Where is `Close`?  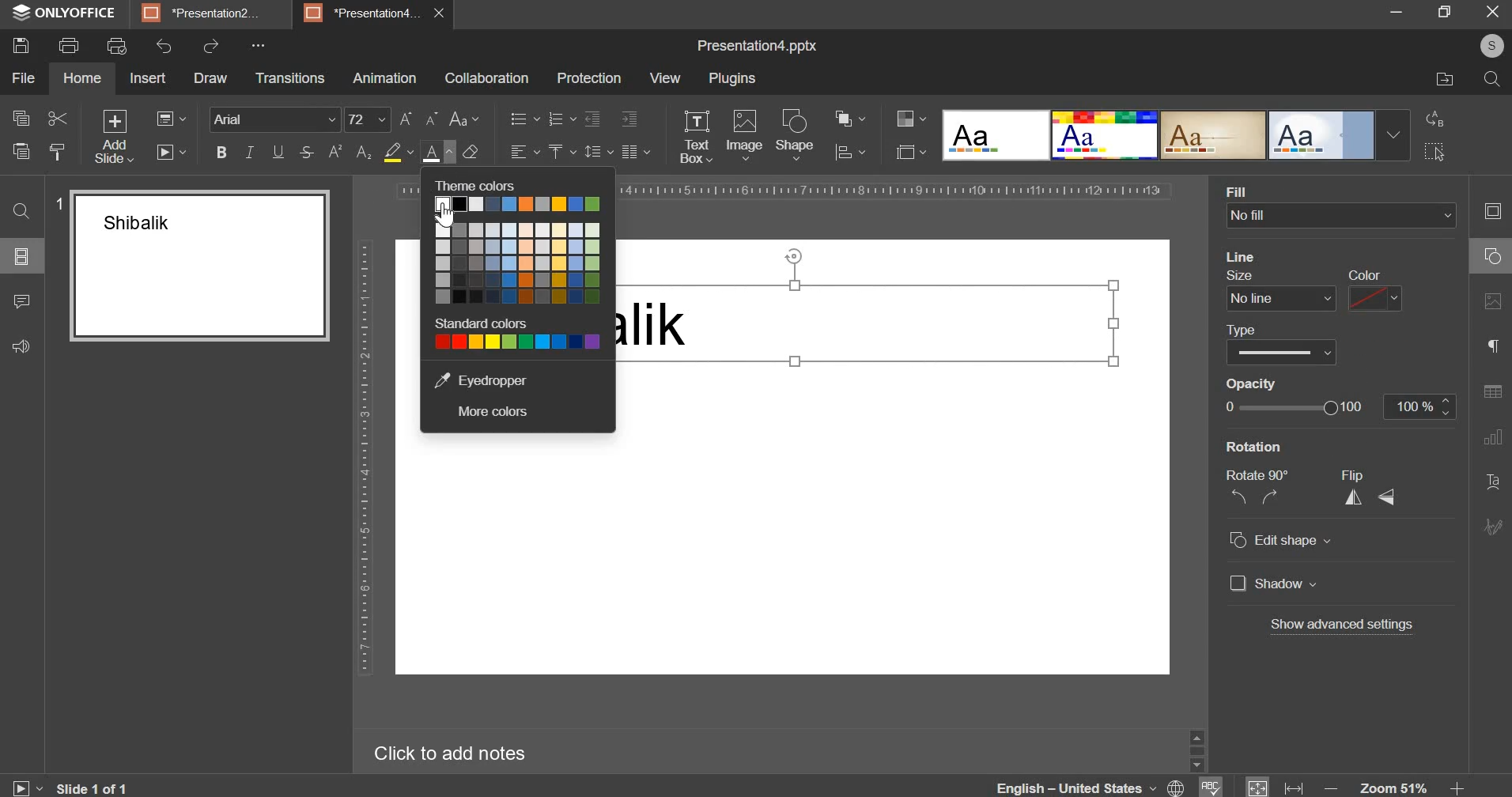
Close is located at coordinates (1494, 13).